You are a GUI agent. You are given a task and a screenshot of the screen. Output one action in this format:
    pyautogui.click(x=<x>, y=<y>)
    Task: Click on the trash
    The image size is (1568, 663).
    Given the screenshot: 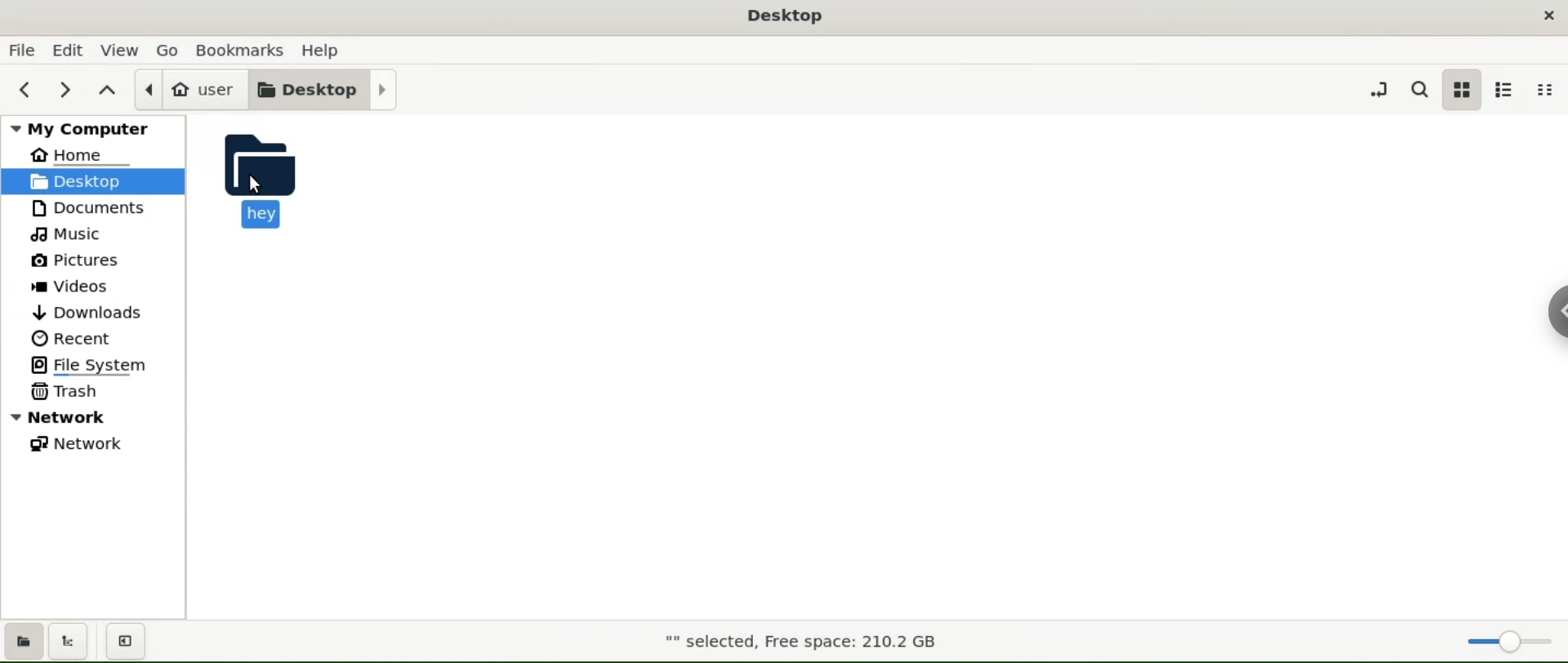 What is the action you would take?
    pyautogui.click(x=91, y=394)
    